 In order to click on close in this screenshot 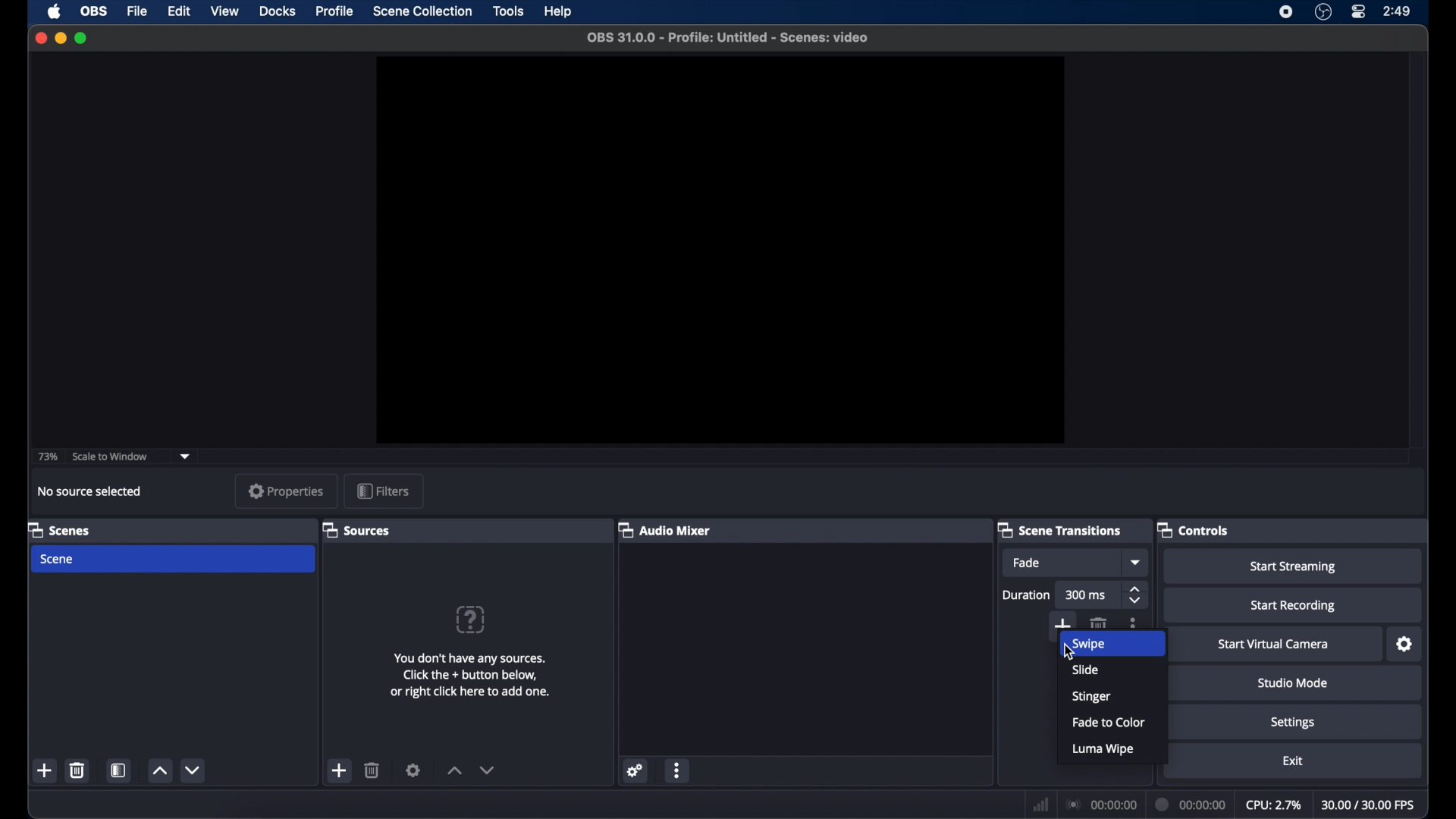, I will do `click(40, 38)`.